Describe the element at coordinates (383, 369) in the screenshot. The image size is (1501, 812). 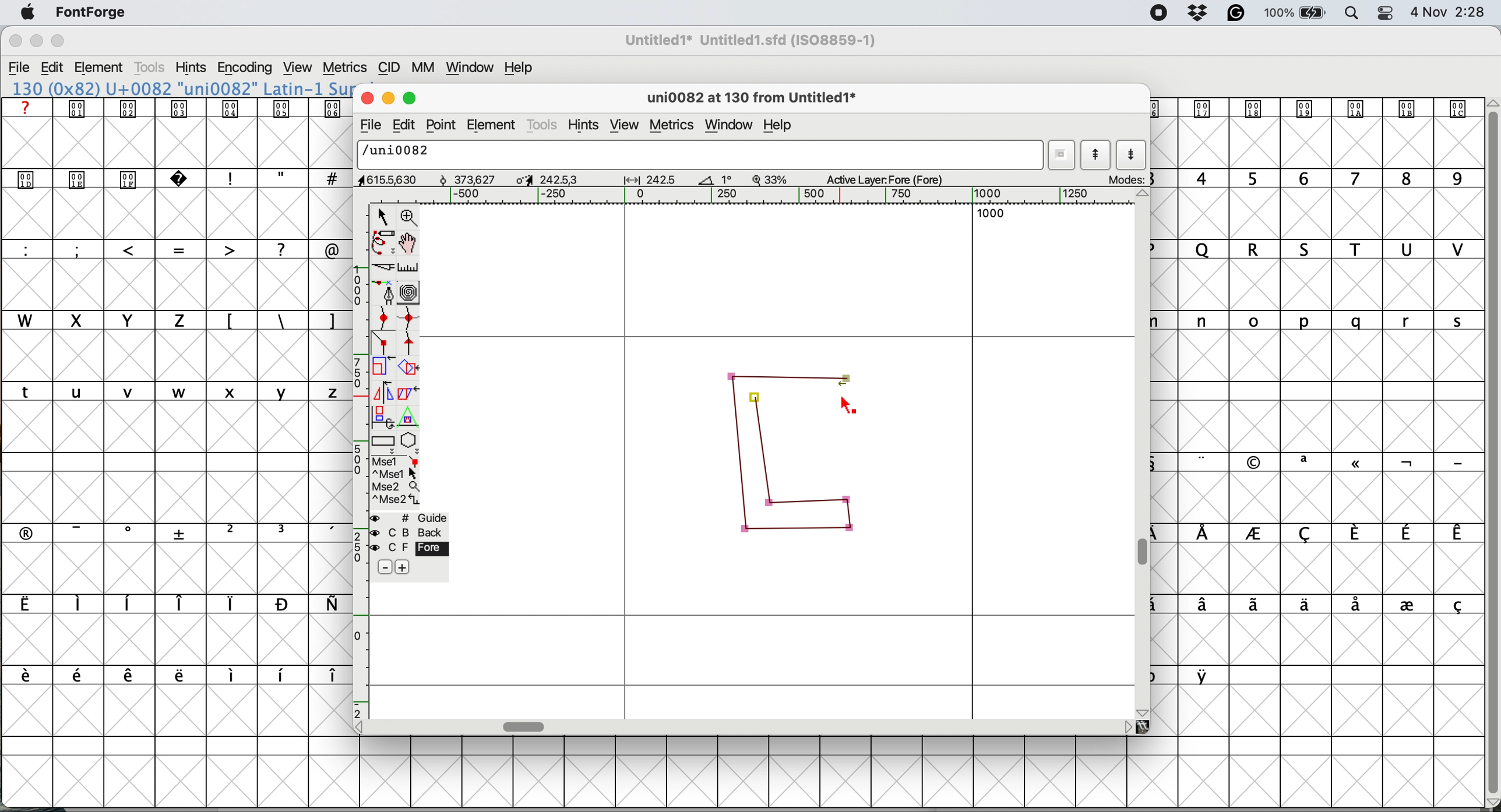
I see `scale the selection` at that location.